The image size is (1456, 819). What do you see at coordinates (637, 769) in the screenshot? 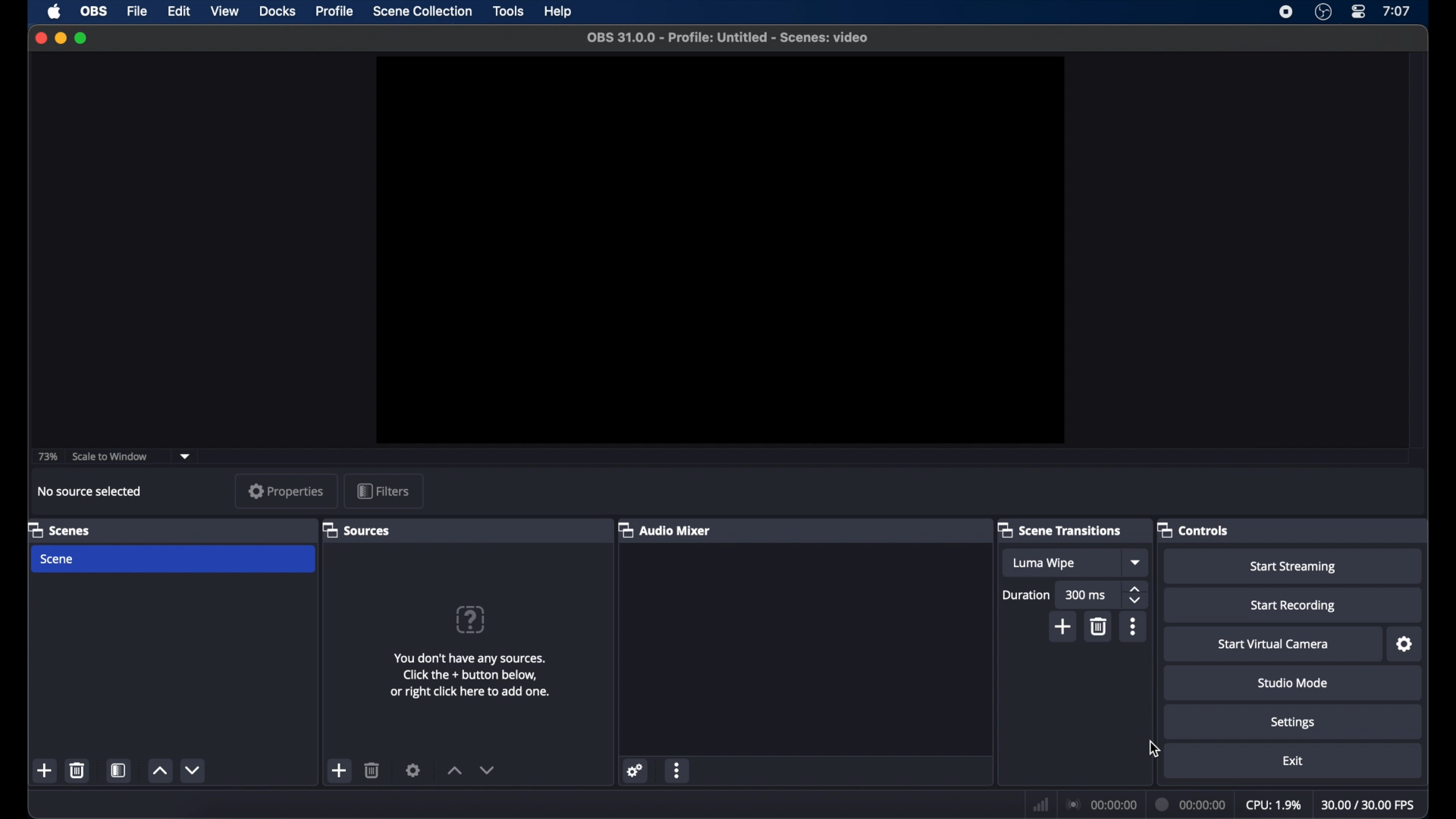
I see `settings` at bounding box center [637, 769].